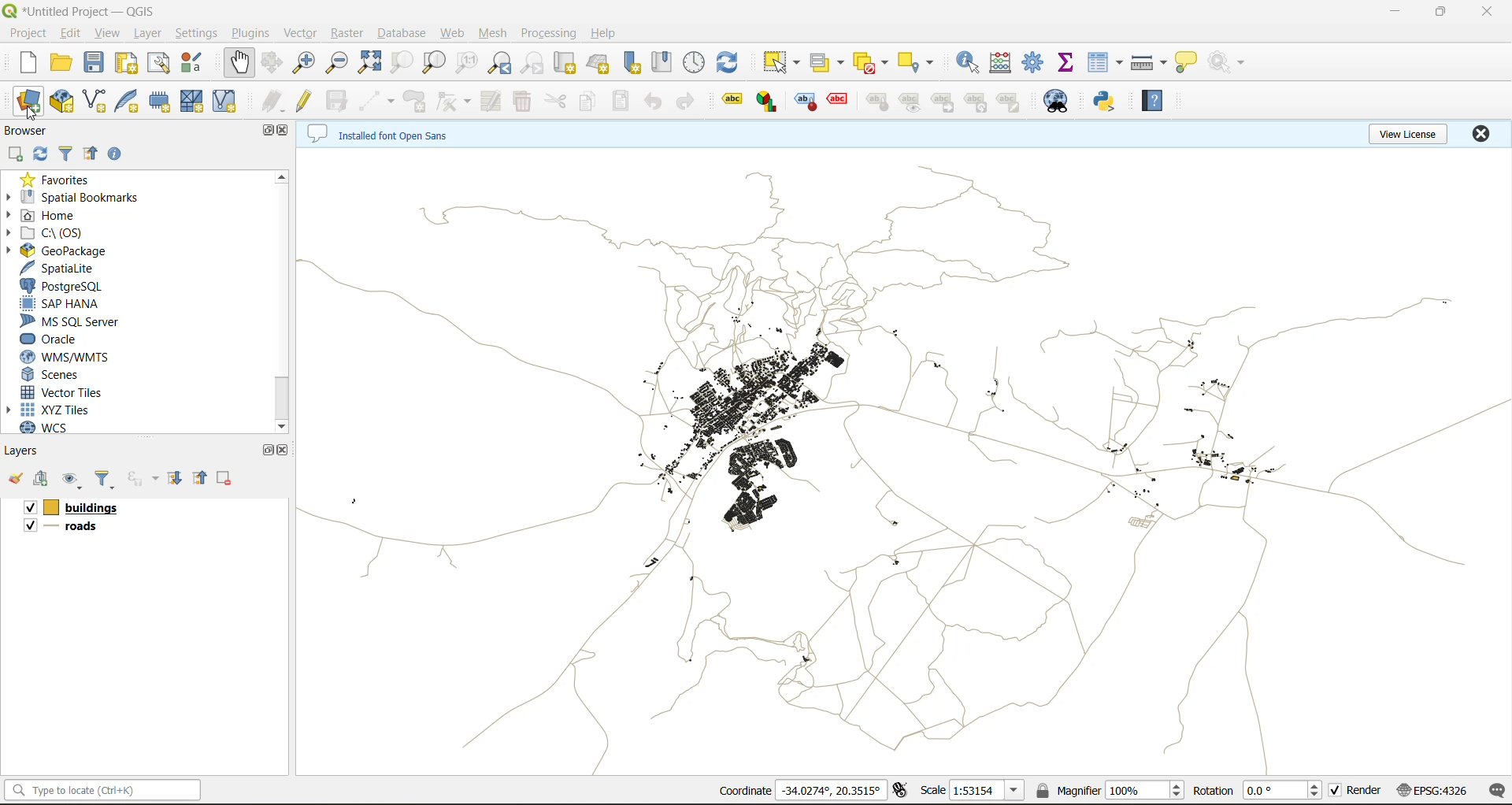 The image size is (1512, 805). Describe the element at coordinates (47, 217) in the screenshot. I see `home` at that location.